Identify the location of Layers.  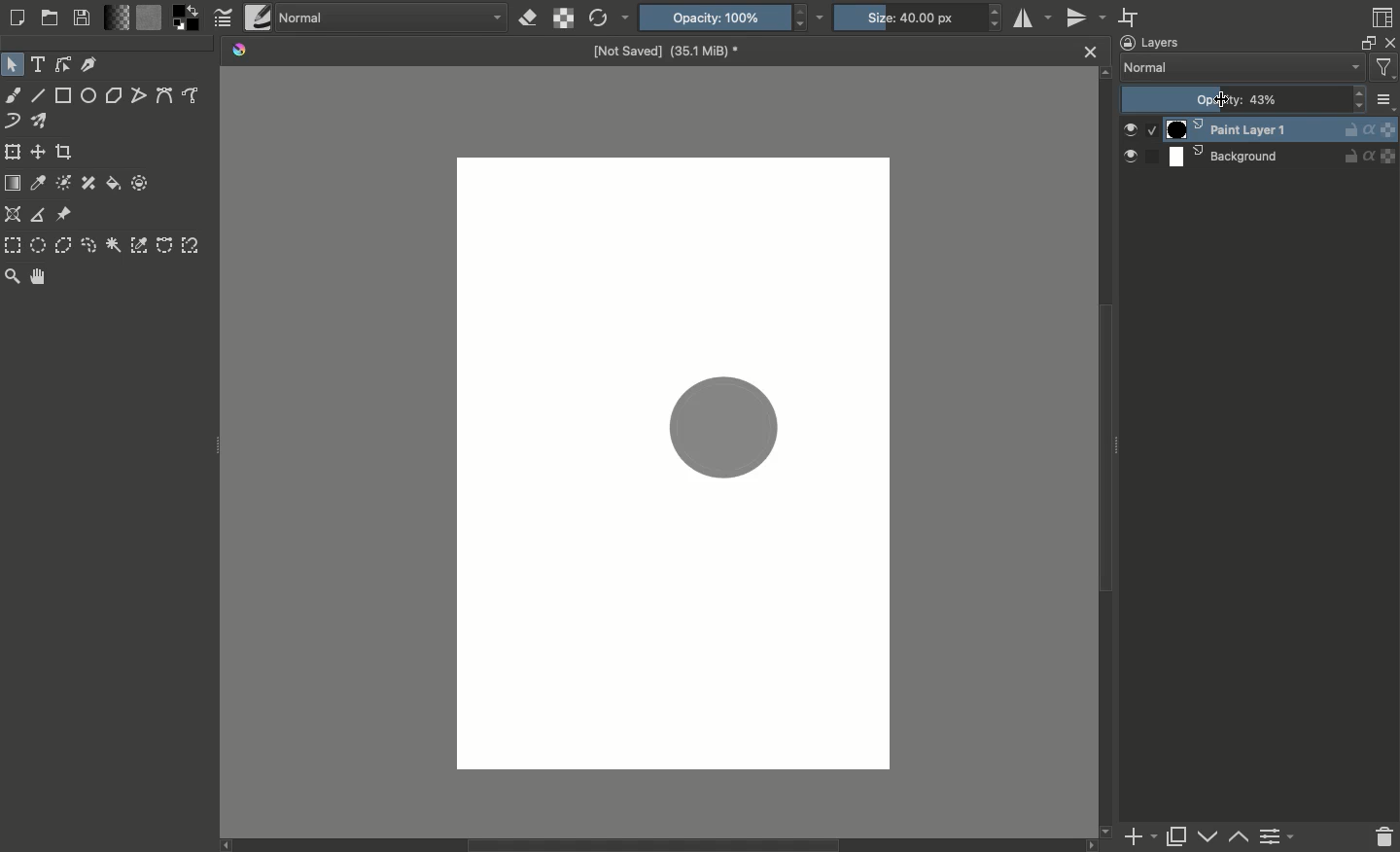
(1152, 42).